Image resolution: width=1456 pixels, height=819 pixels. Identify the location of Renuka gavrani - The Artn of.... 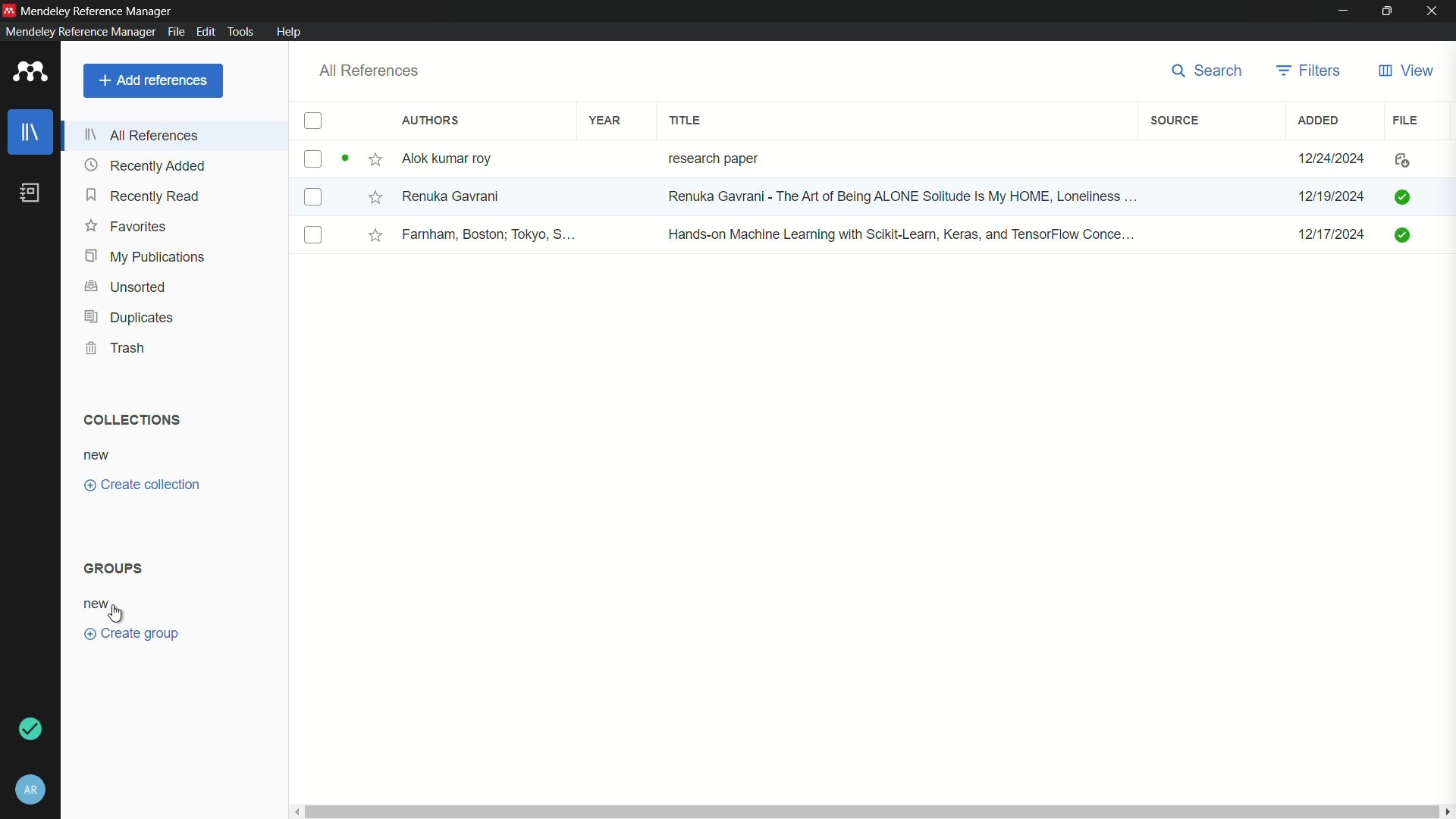
(897, 198).